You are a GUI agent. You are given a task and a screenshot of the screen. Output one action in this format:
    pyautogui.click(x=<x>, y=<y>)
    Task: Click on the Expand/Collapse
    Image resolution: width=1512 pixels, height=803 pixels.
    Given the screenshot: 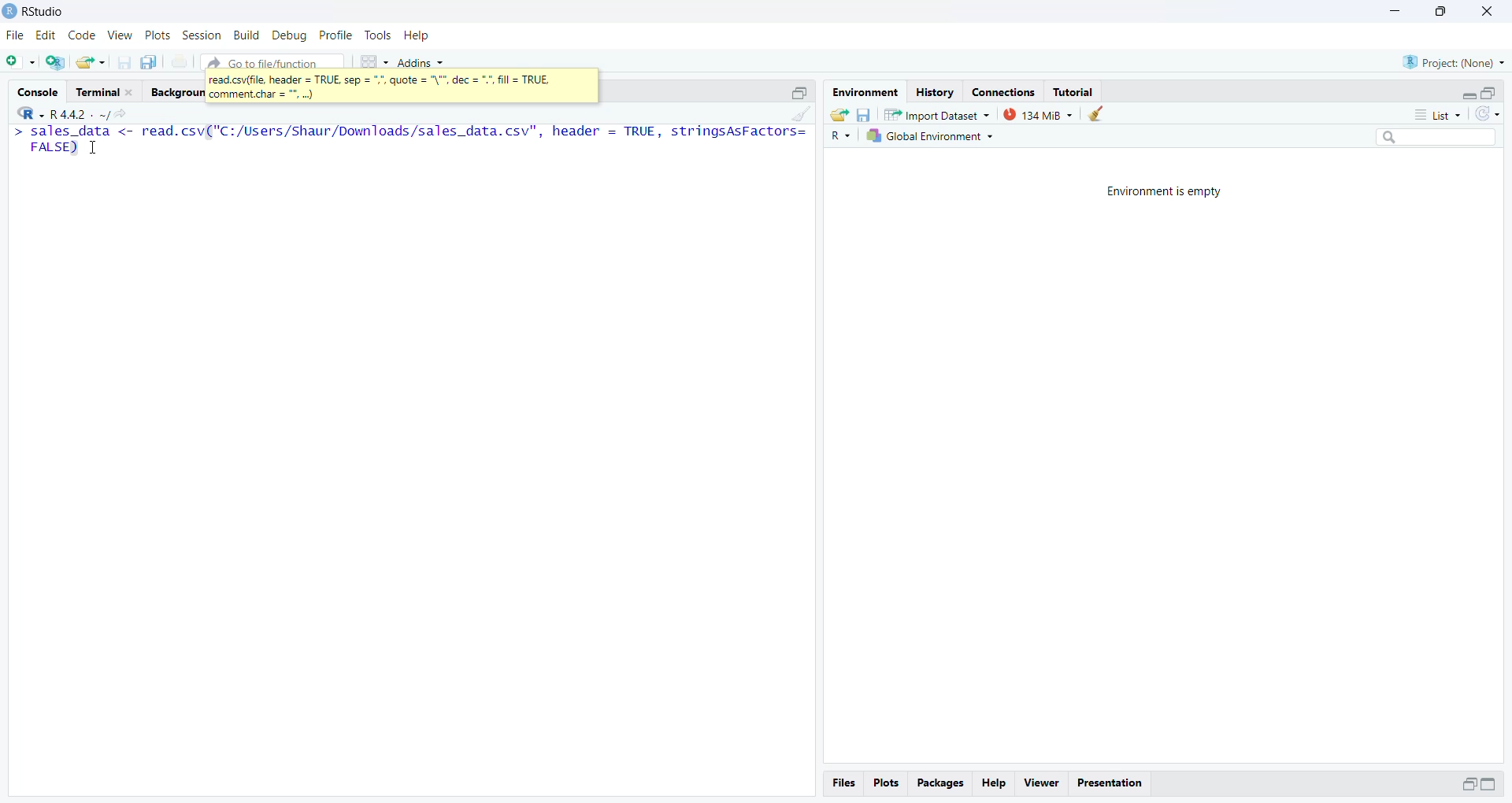 What is the action you would take?
    pyautogui.click(x=1466, y=96)
    